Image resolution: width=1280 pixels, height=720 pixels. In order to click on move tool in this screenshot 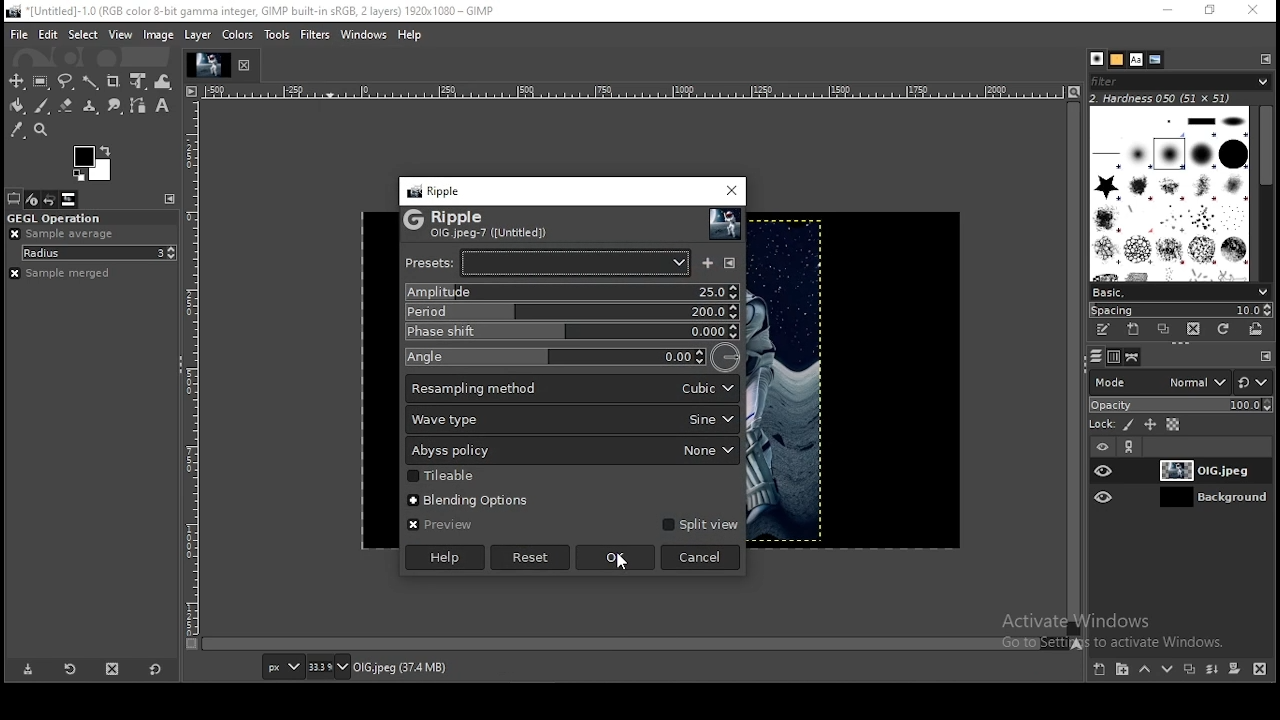, I will do `click(18, 82)`.